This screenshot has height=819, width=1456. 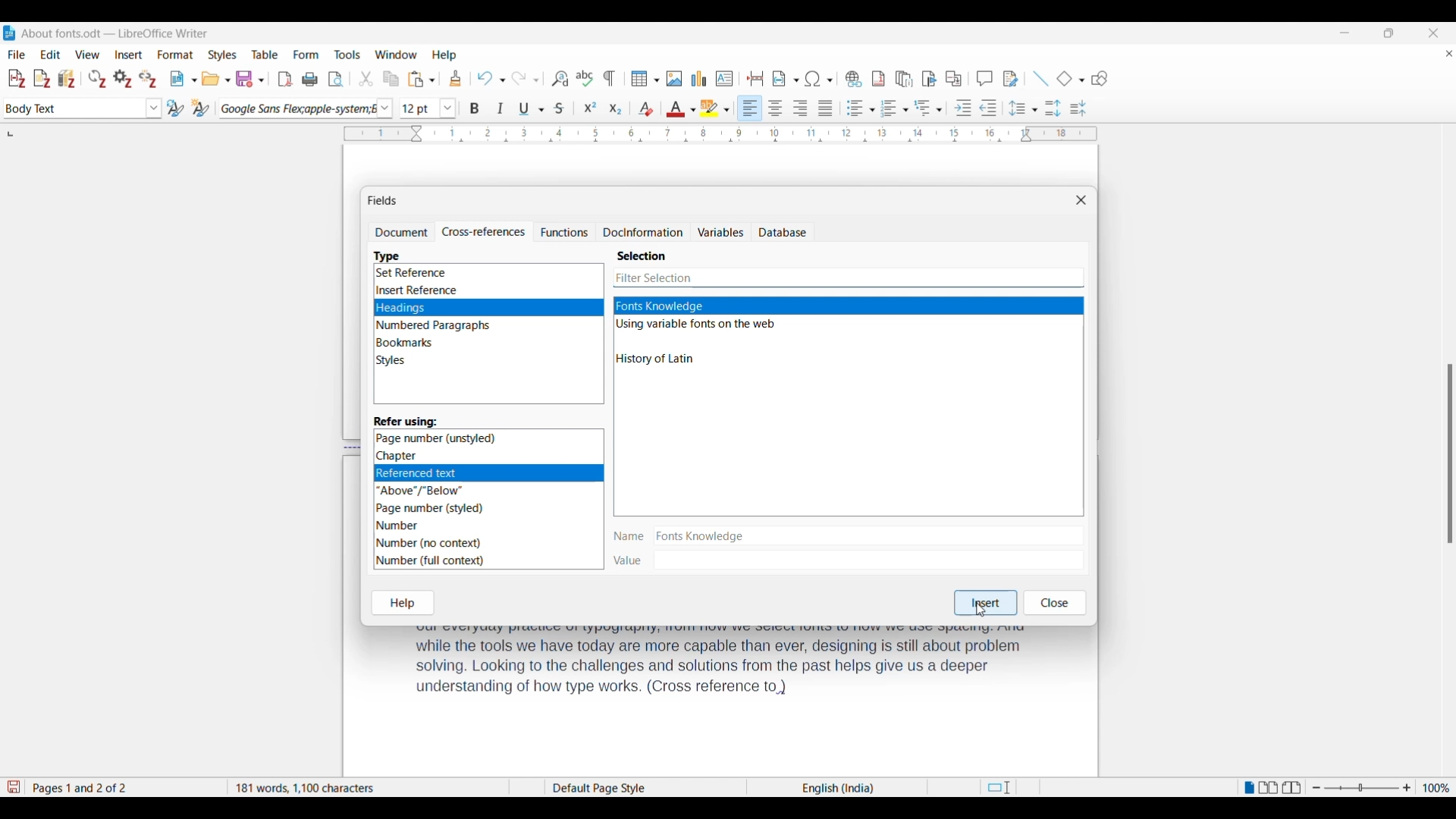 I want to click on Form menu, so click(x=306, y=55).